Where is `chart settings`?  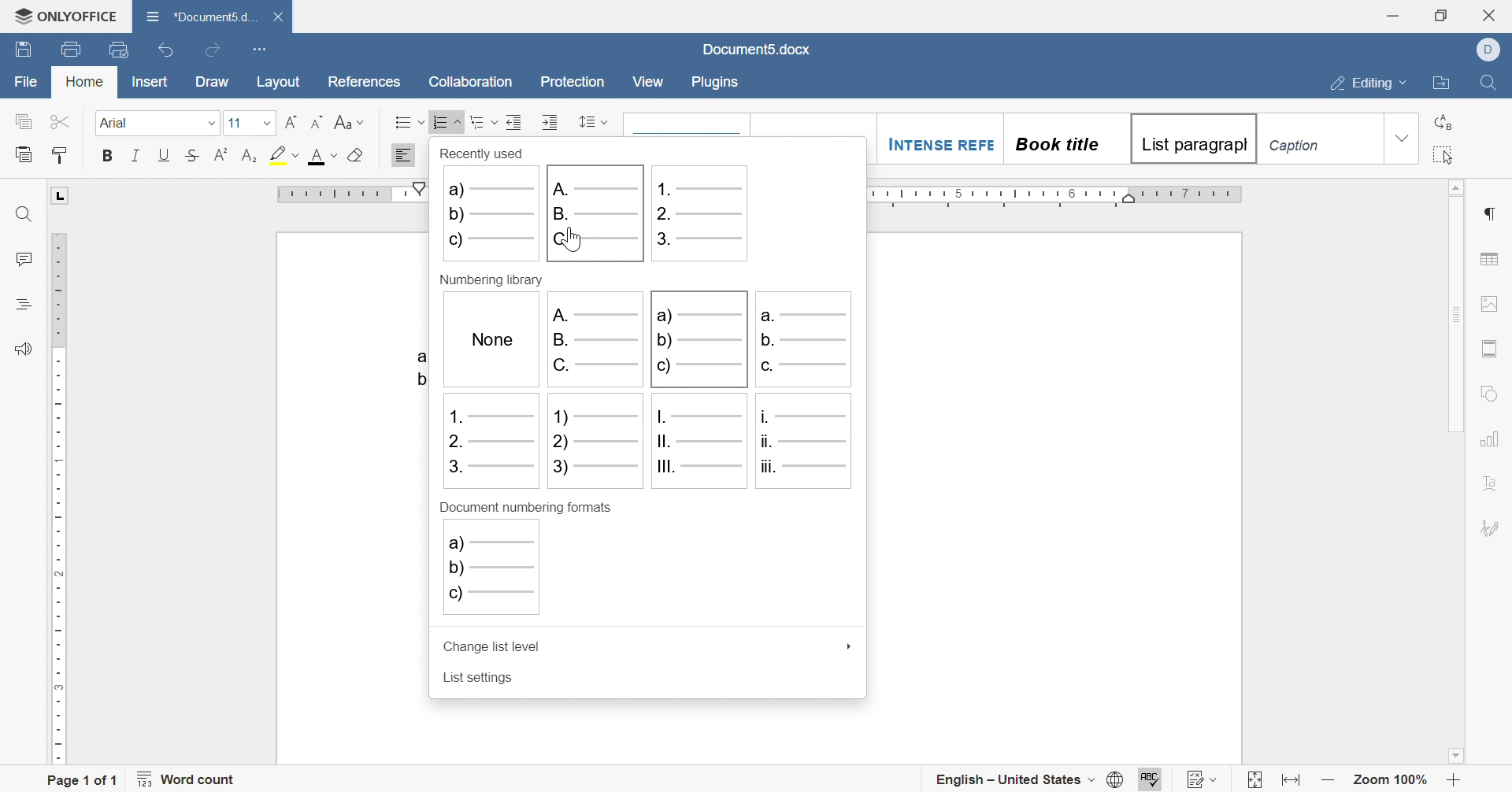 chart settings is located at coordinates (1488, 441).